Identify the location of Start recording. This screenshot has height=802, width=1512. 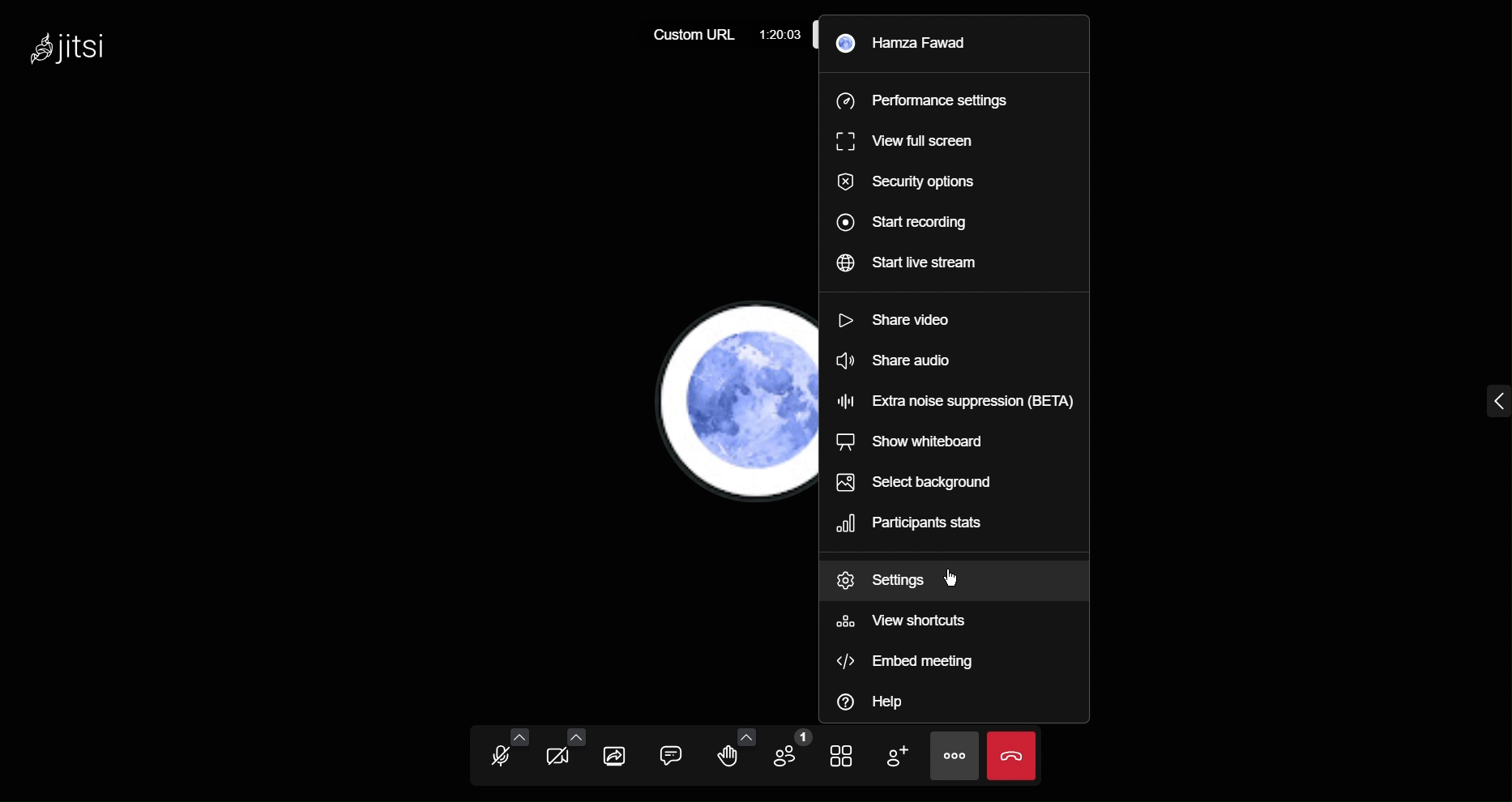
(911, 224).